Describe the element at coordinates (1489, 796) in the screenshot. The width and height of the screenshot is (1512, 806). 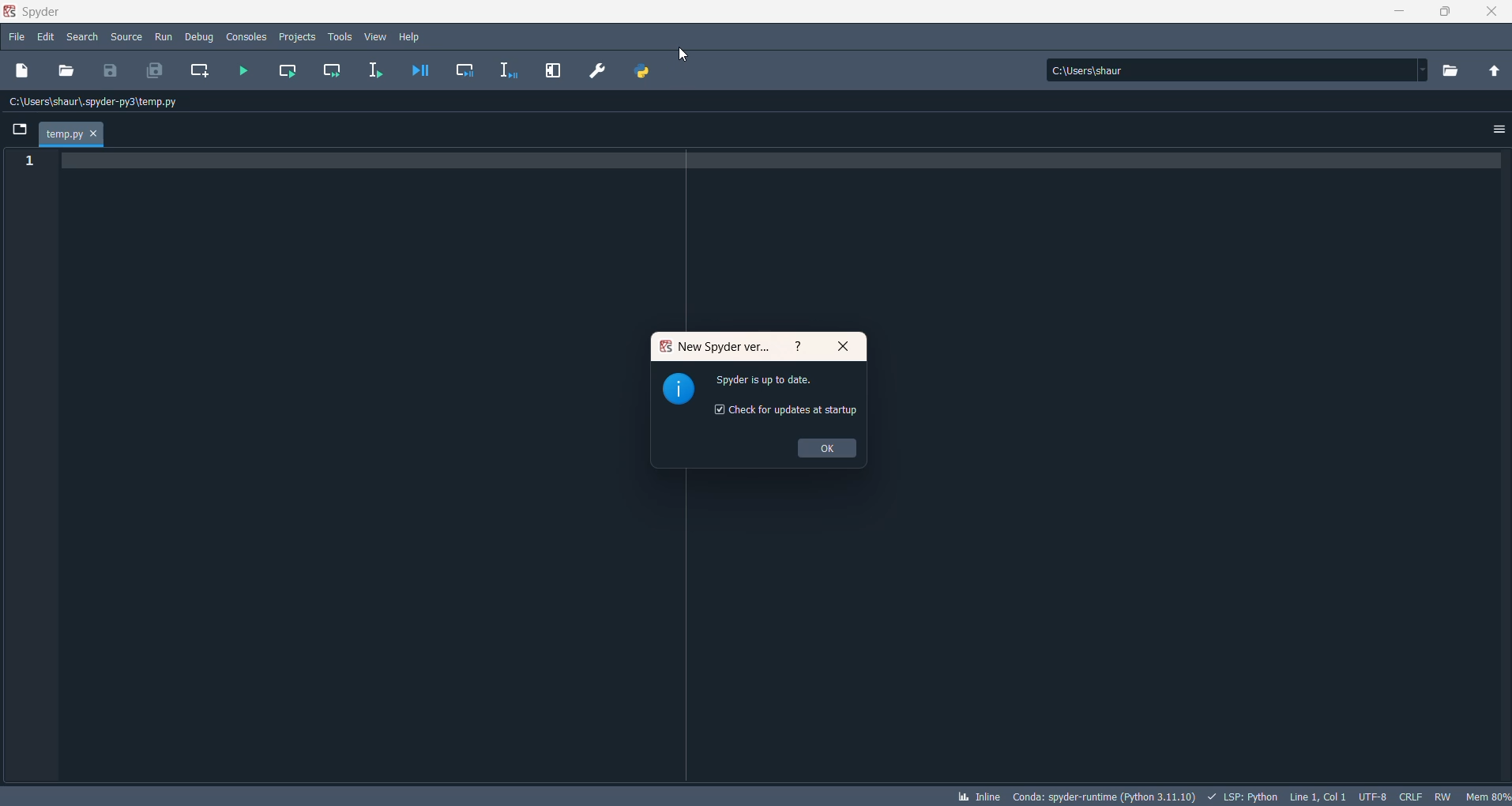
I see `memory usage` at that location.